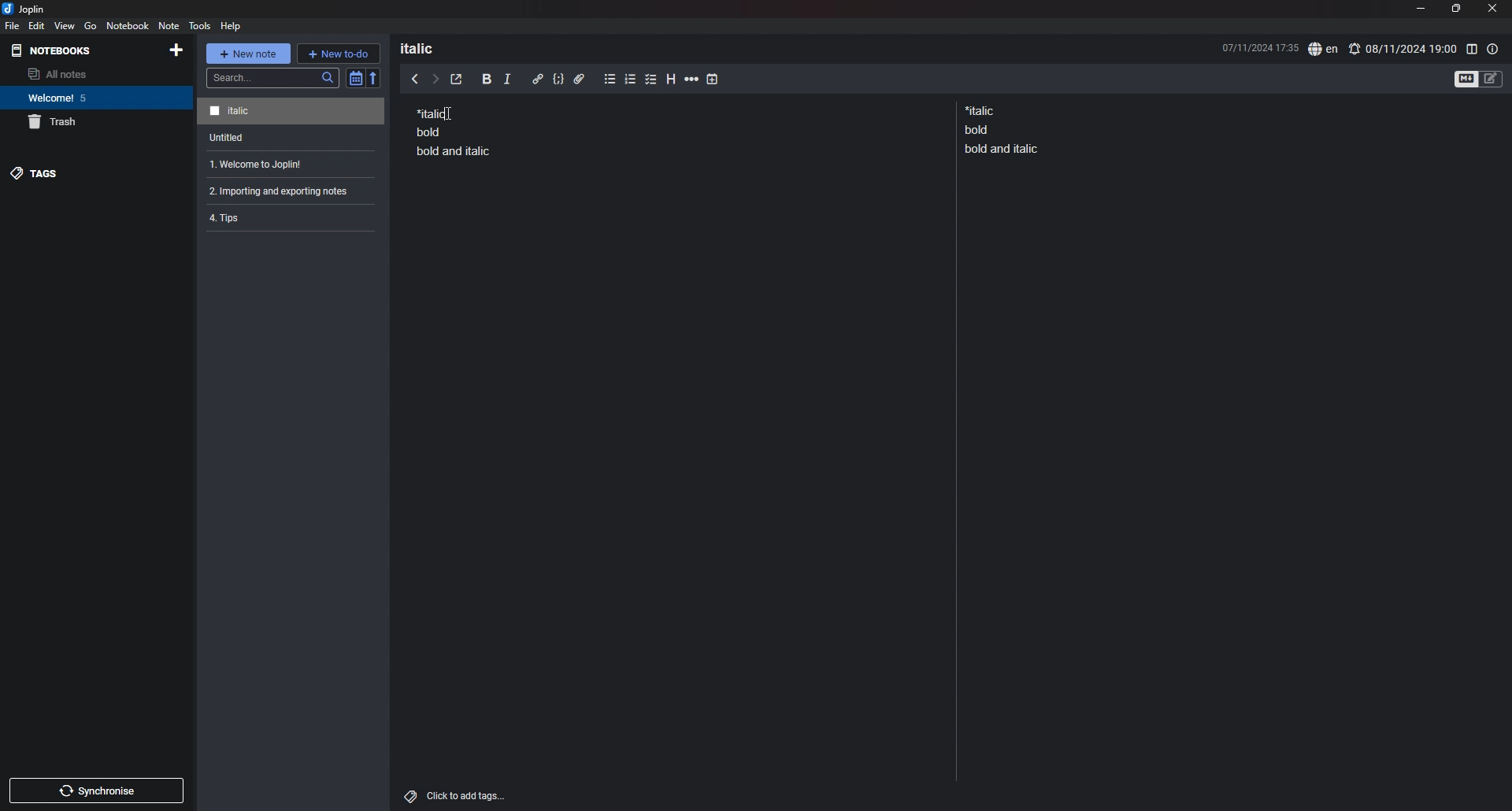 The image size is (1512, 811). I want to click on toggle editor layout, so click(1471, 49).